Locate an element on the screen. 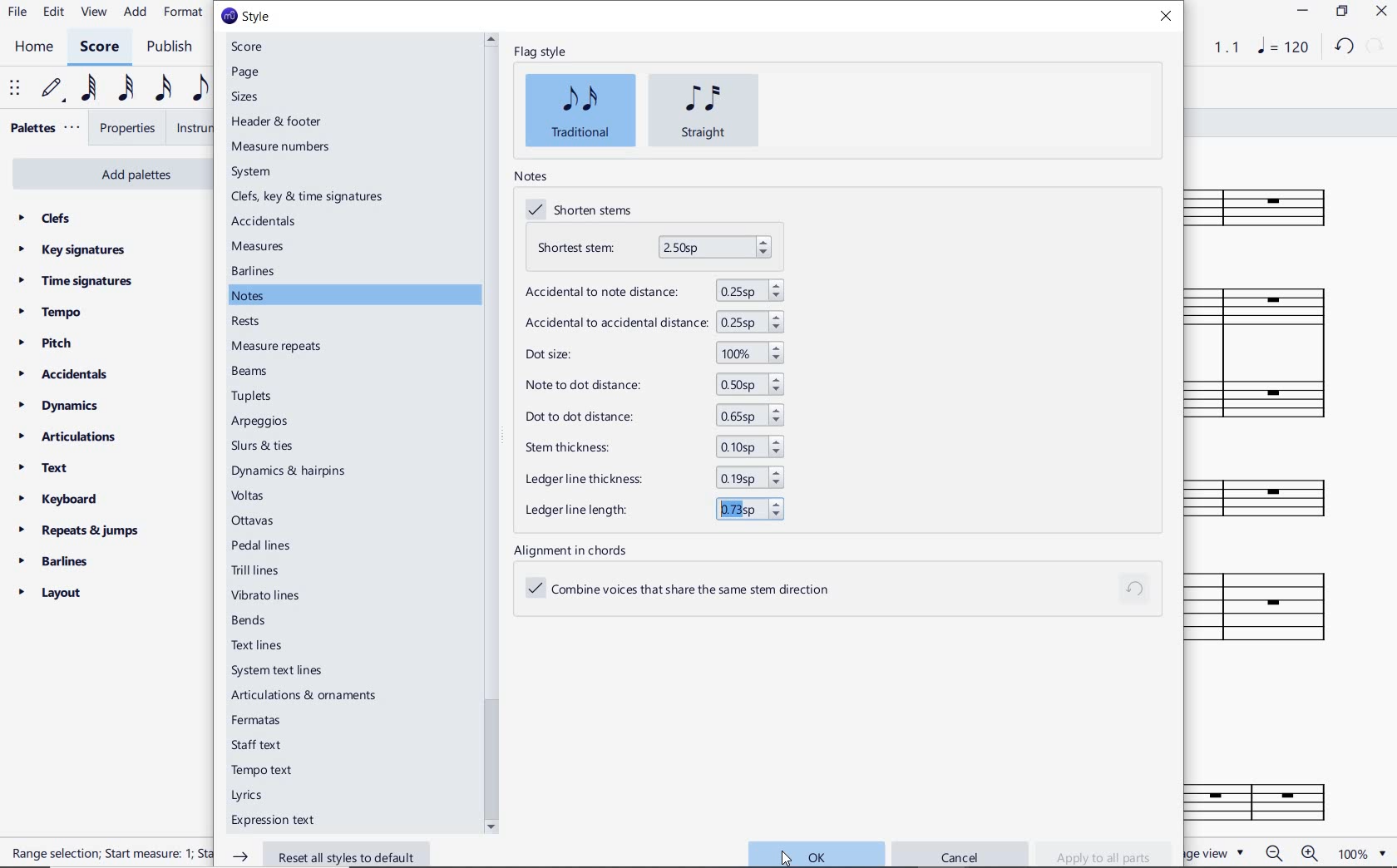 This screenshot has width=1397, height=868. tempo is located at coordinates (53, 313).